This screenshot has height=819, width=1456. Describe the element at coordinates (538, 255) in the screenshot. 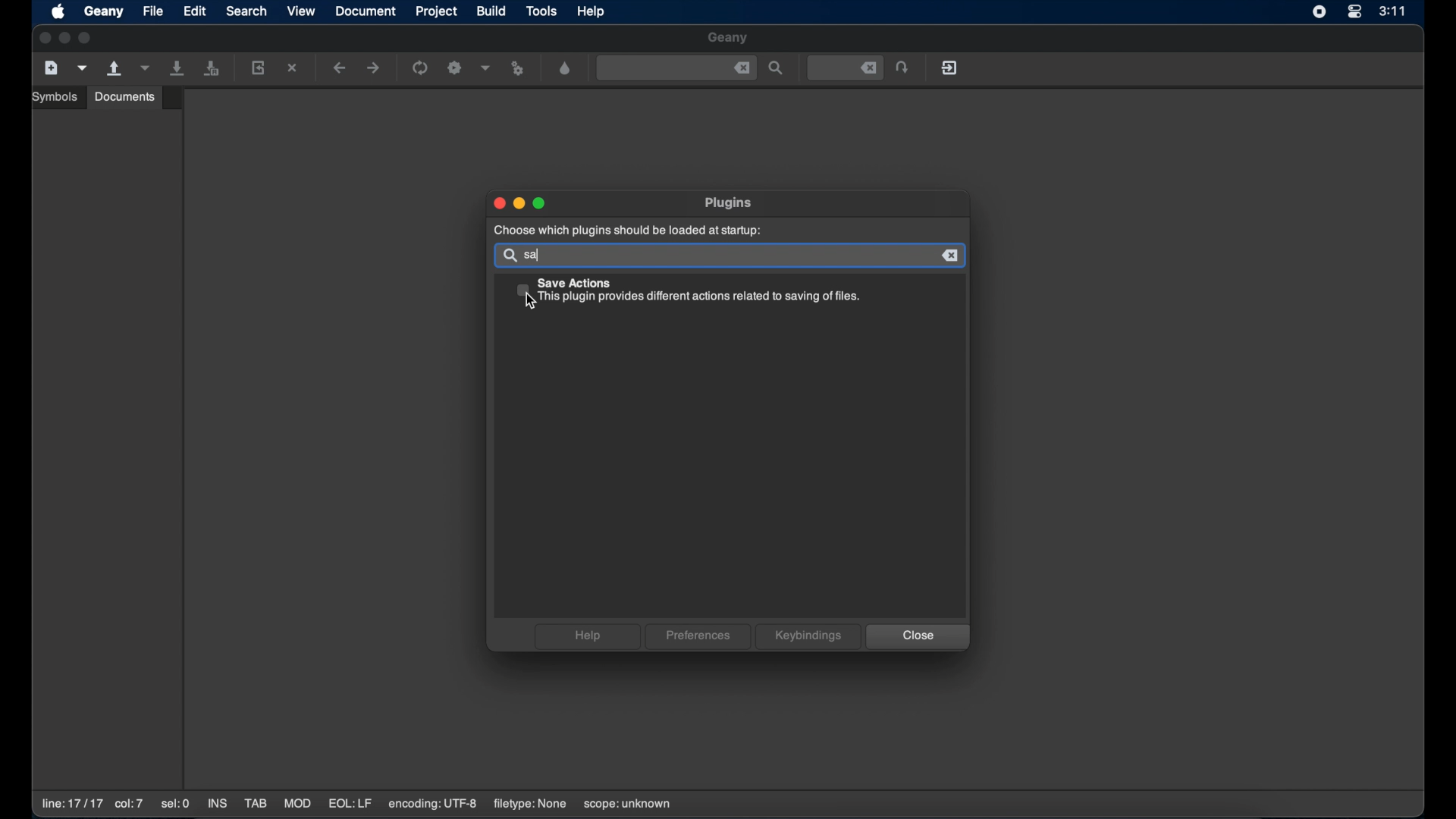

I see `text cursor` at that location.